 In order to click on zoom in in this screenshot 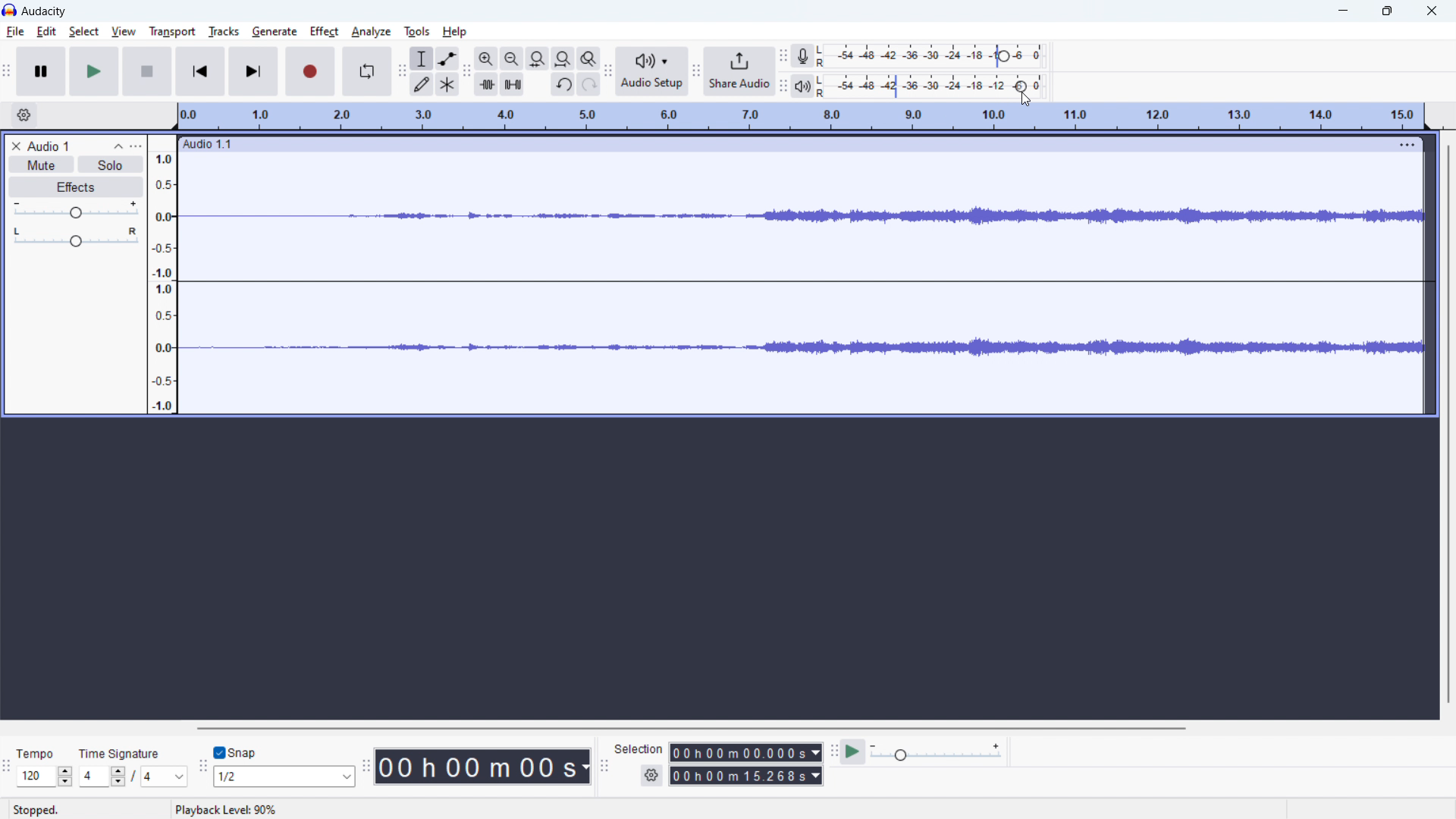, I will do `click(486, 58)`.